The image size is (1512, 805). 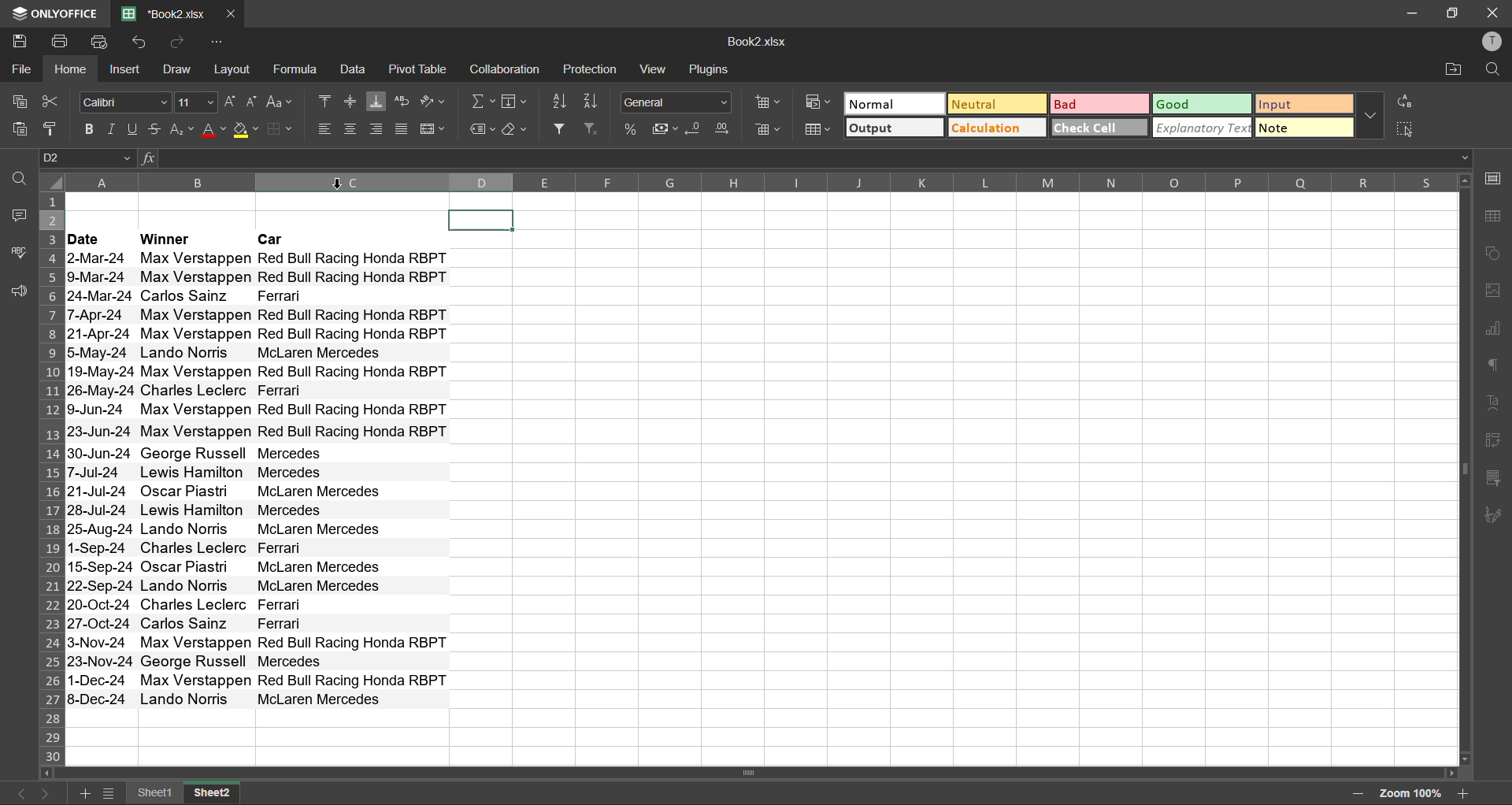 I want to click on align left, so click(x=321, y=129).